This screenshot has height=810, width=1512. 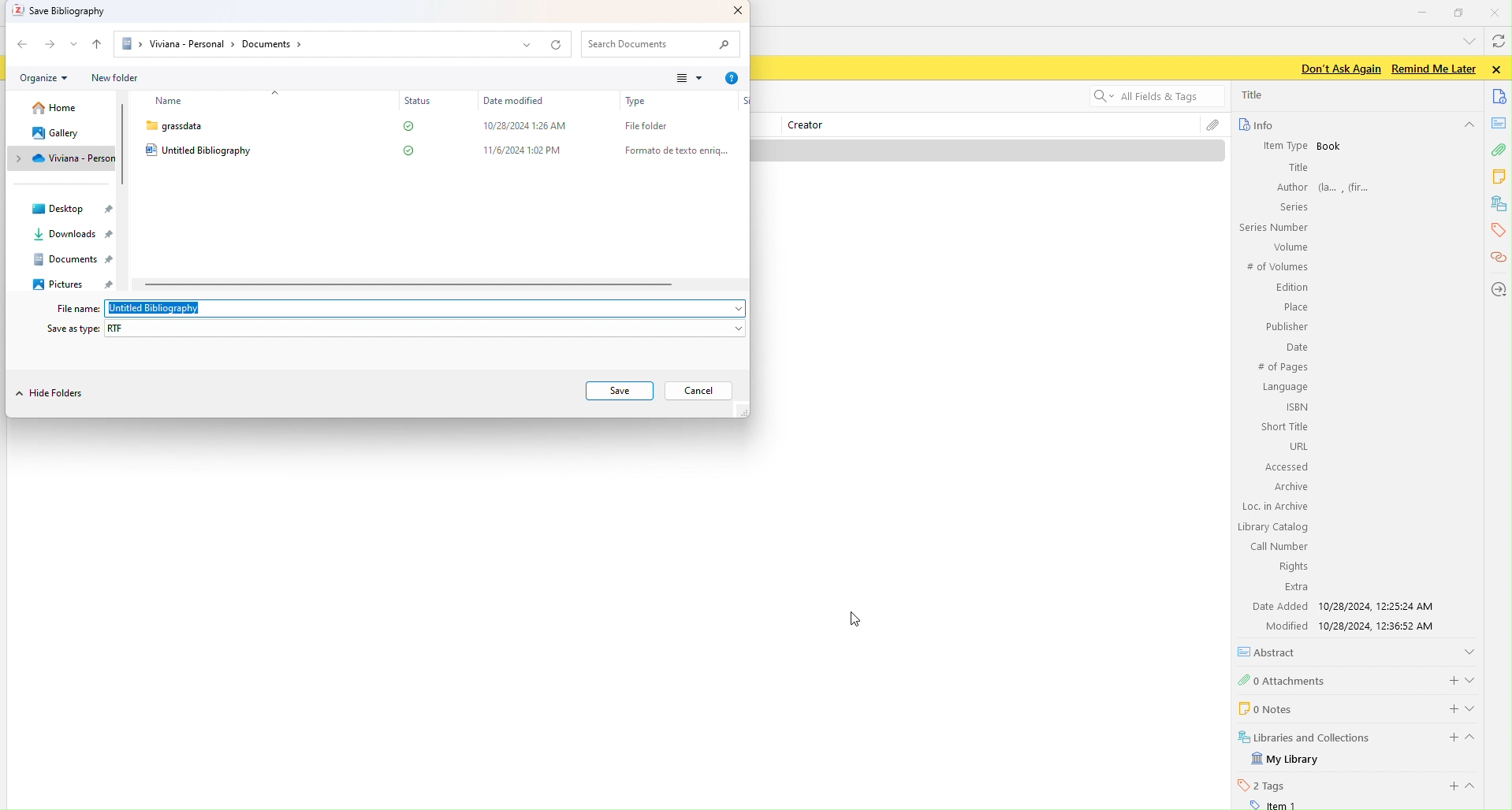 What do you see at coordinates (1298, 407) in the screenshot?
I see `ISBN` at bounding box center [1298, 407].